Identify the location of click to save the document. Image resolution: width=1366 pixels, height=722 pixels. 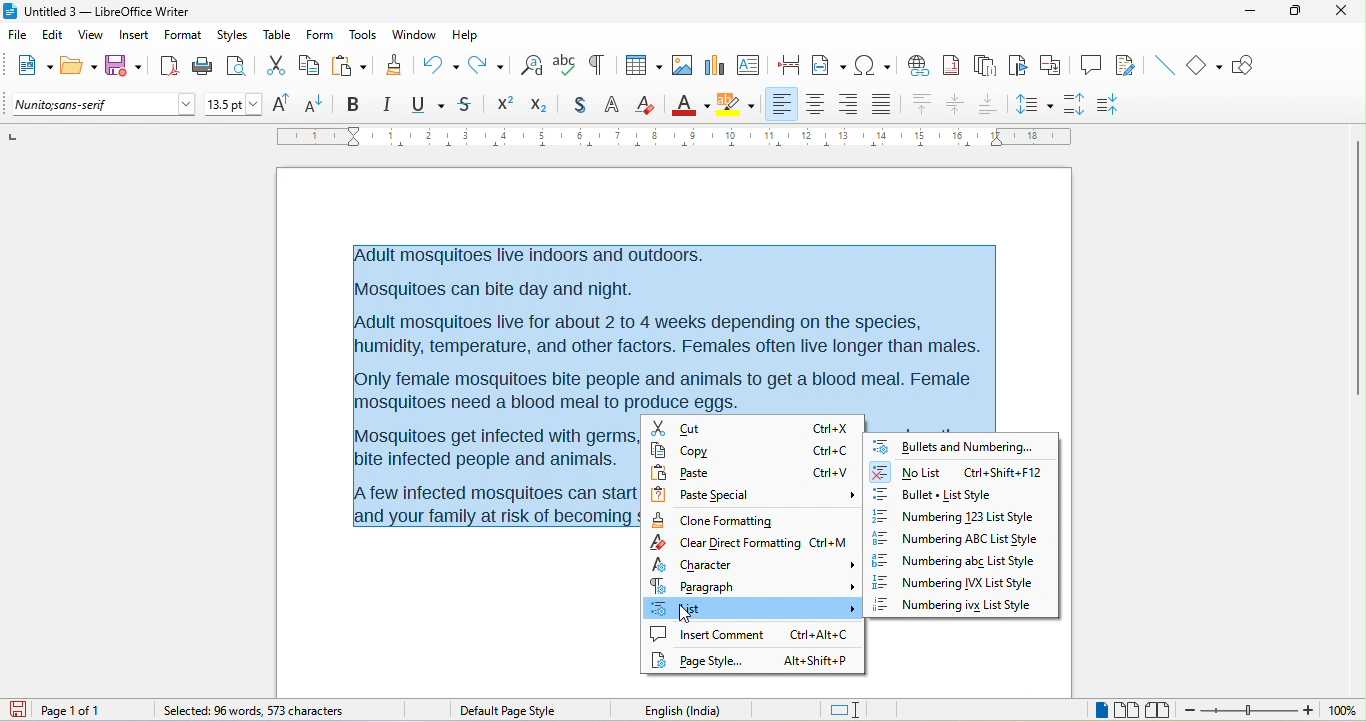
(23, 711).